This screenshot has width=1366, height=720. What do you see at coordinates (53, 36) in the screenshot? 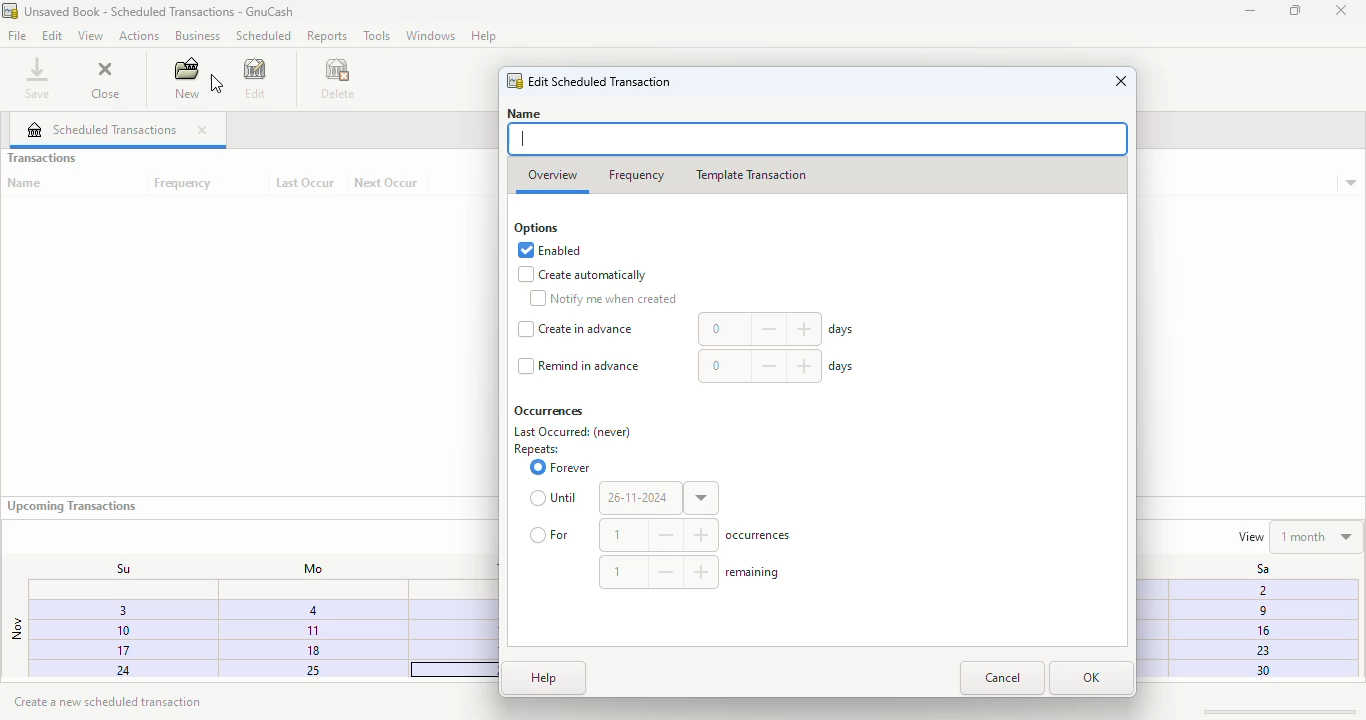
I see `edit` at bounding box center [53, 36].